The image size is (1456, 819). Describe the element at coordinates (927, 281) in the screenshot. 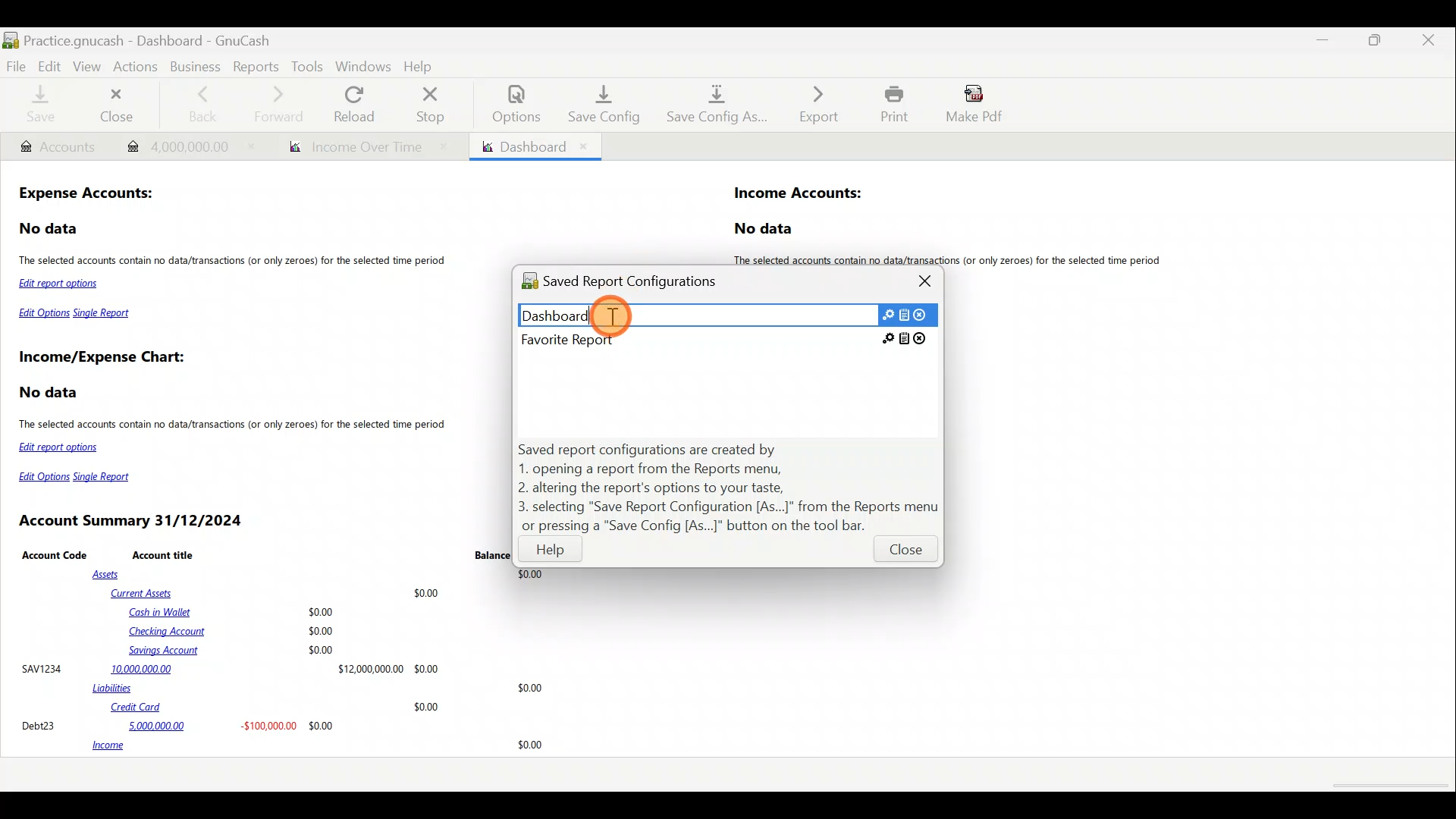

I see `Close` at that location.